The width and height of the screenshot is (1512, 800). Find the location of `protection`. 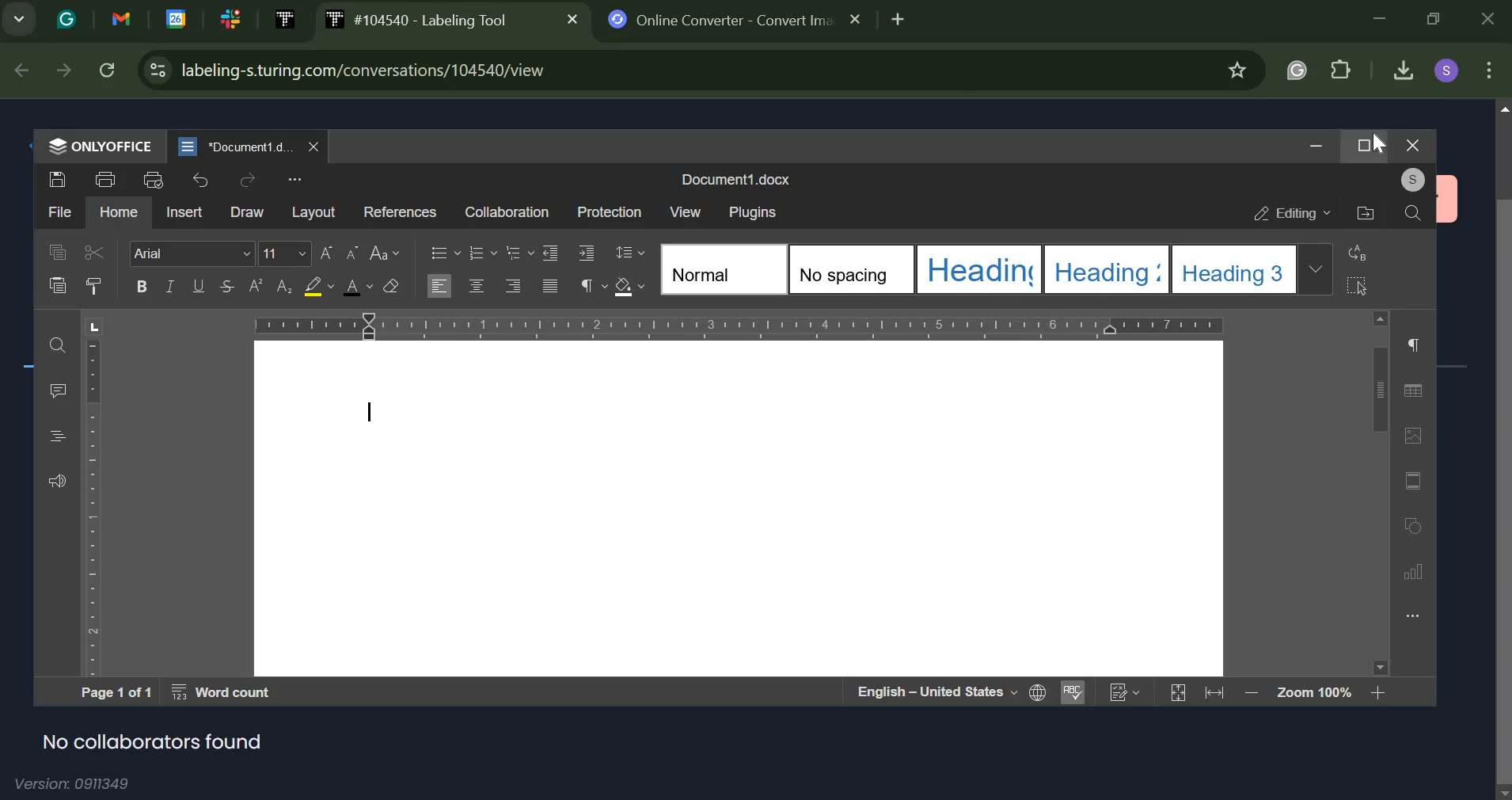

protection is located at coordinates (607, 212).